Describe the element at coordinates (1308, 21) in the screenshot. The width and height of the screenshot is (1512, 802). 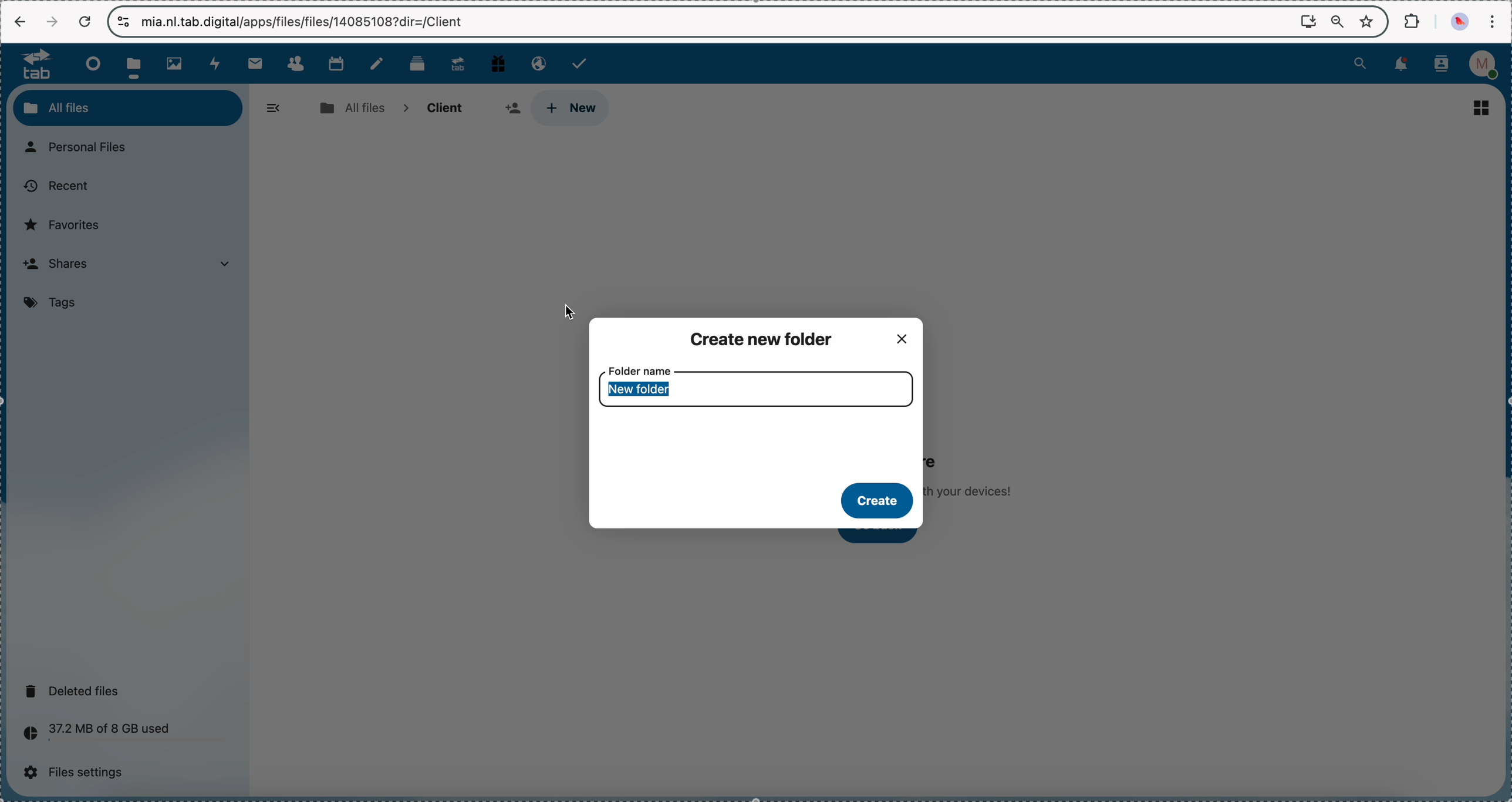
I see `screen` at that location.